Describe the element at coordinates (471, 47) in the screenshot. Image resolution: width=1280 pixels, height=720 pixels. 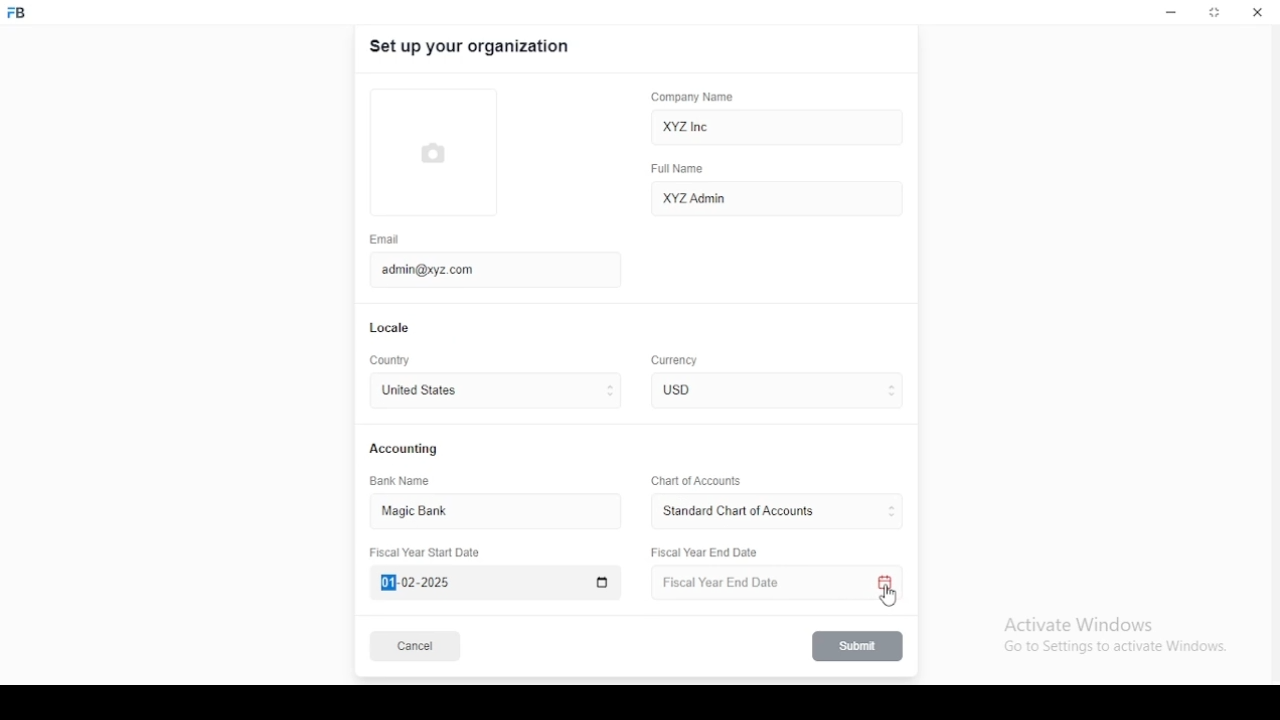
I see `set up your organization` at that location.